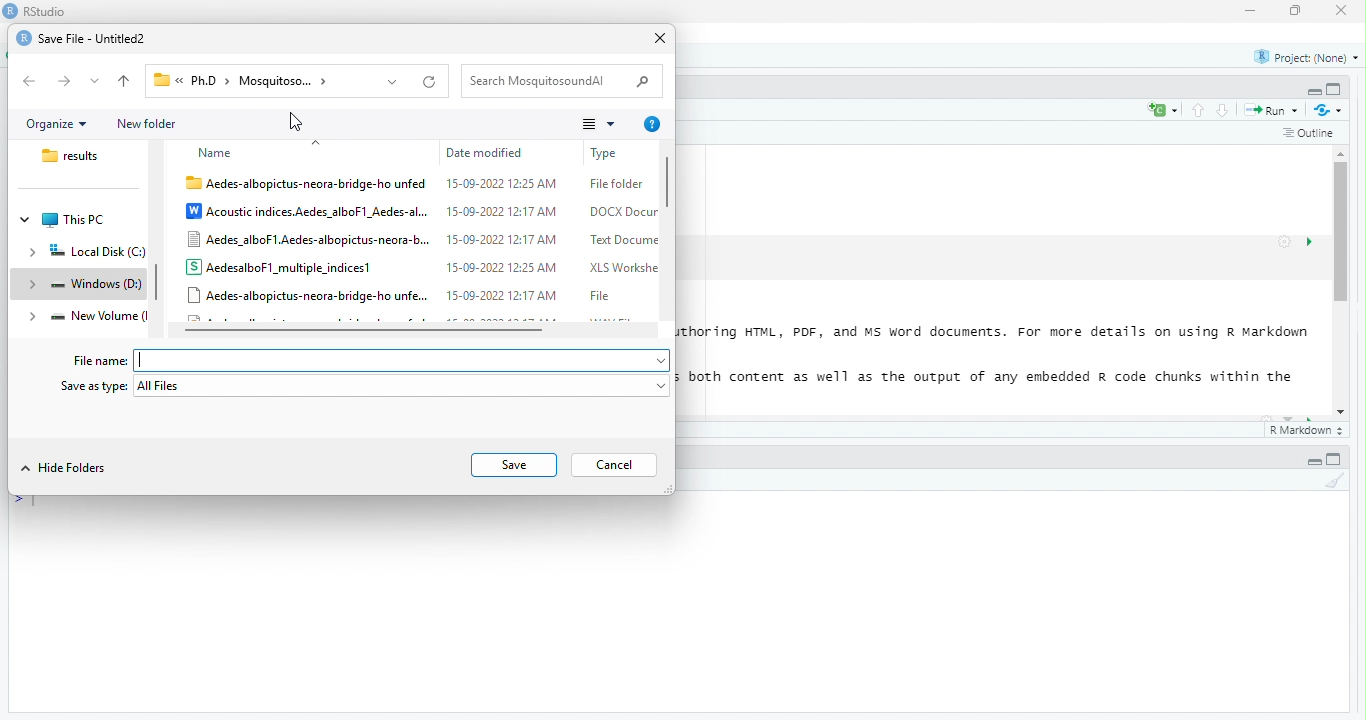 The width and height of the screenshot is (1366, 720). Describe the element at coordinates (600, 124) in the screenshot. I see `more` at that location.